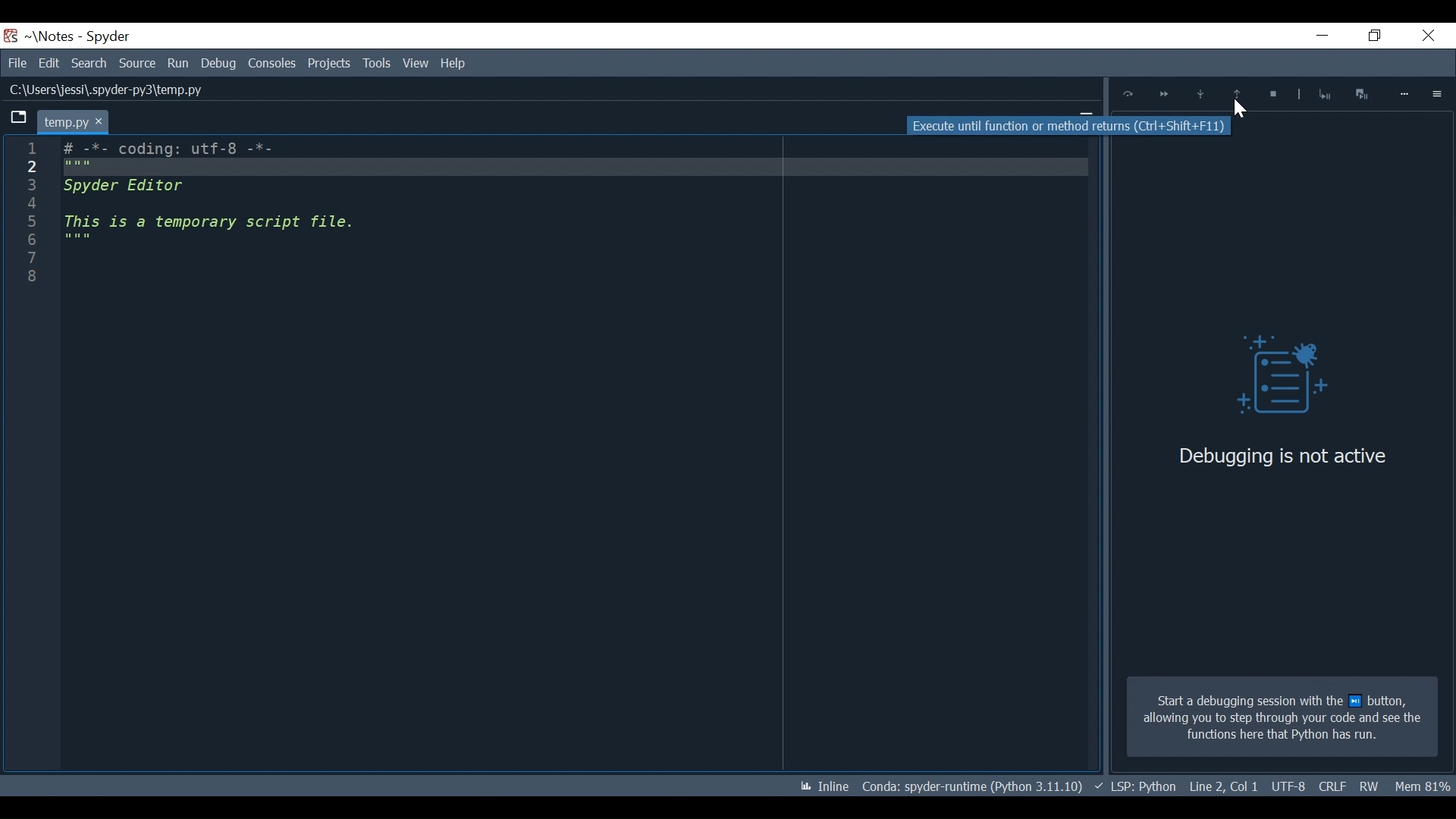 This screenshot has height=819, width=1456. I want to click on Debug, so click(1270, 378).